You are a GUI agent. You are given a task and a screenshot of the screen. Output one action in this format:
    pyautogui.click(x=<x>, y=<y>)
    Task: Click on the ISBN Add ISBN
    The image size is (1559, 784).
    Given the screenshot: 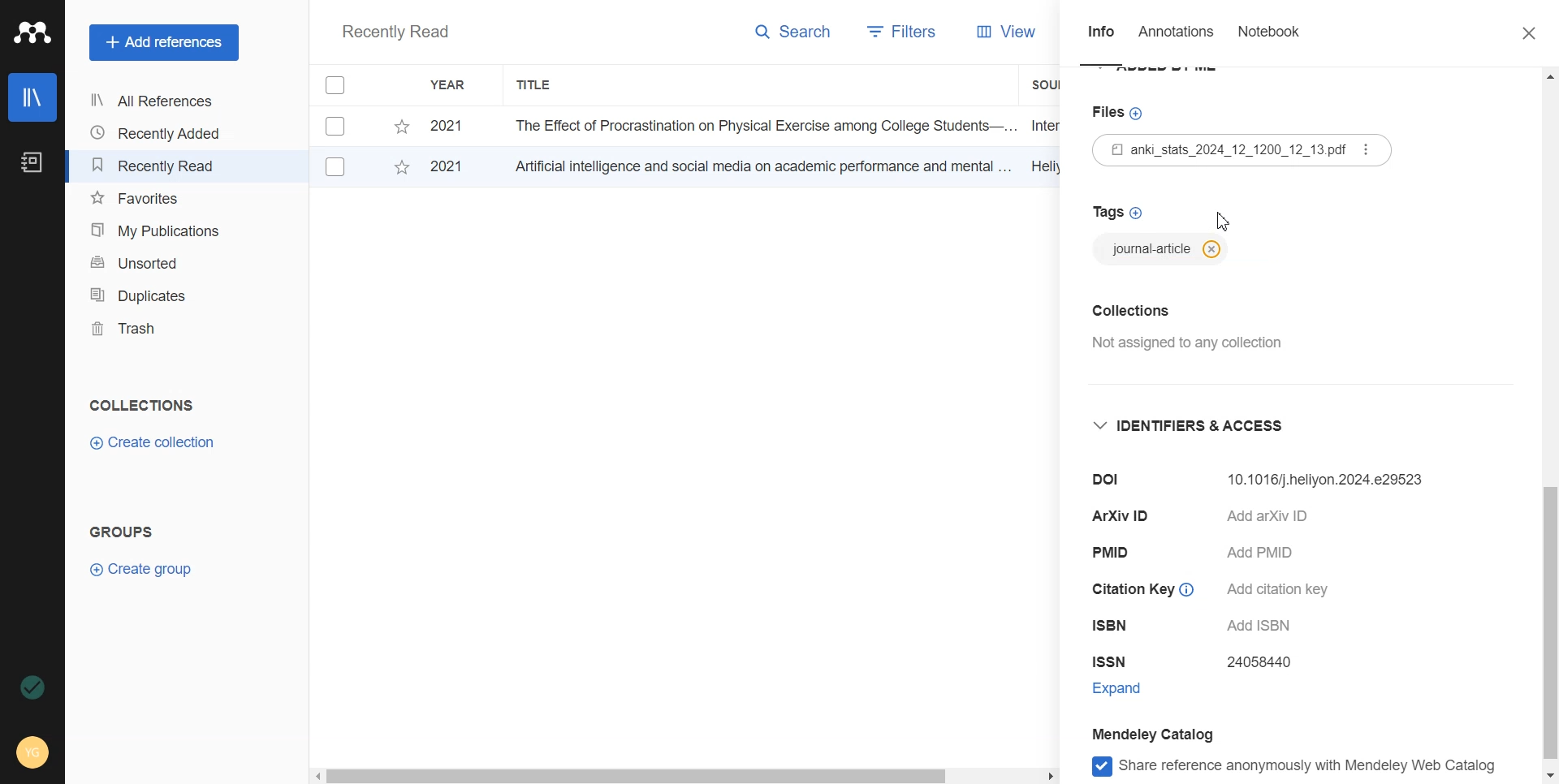 What is the action you would take?
    pyautogui.click(x=1194, y=627)
    